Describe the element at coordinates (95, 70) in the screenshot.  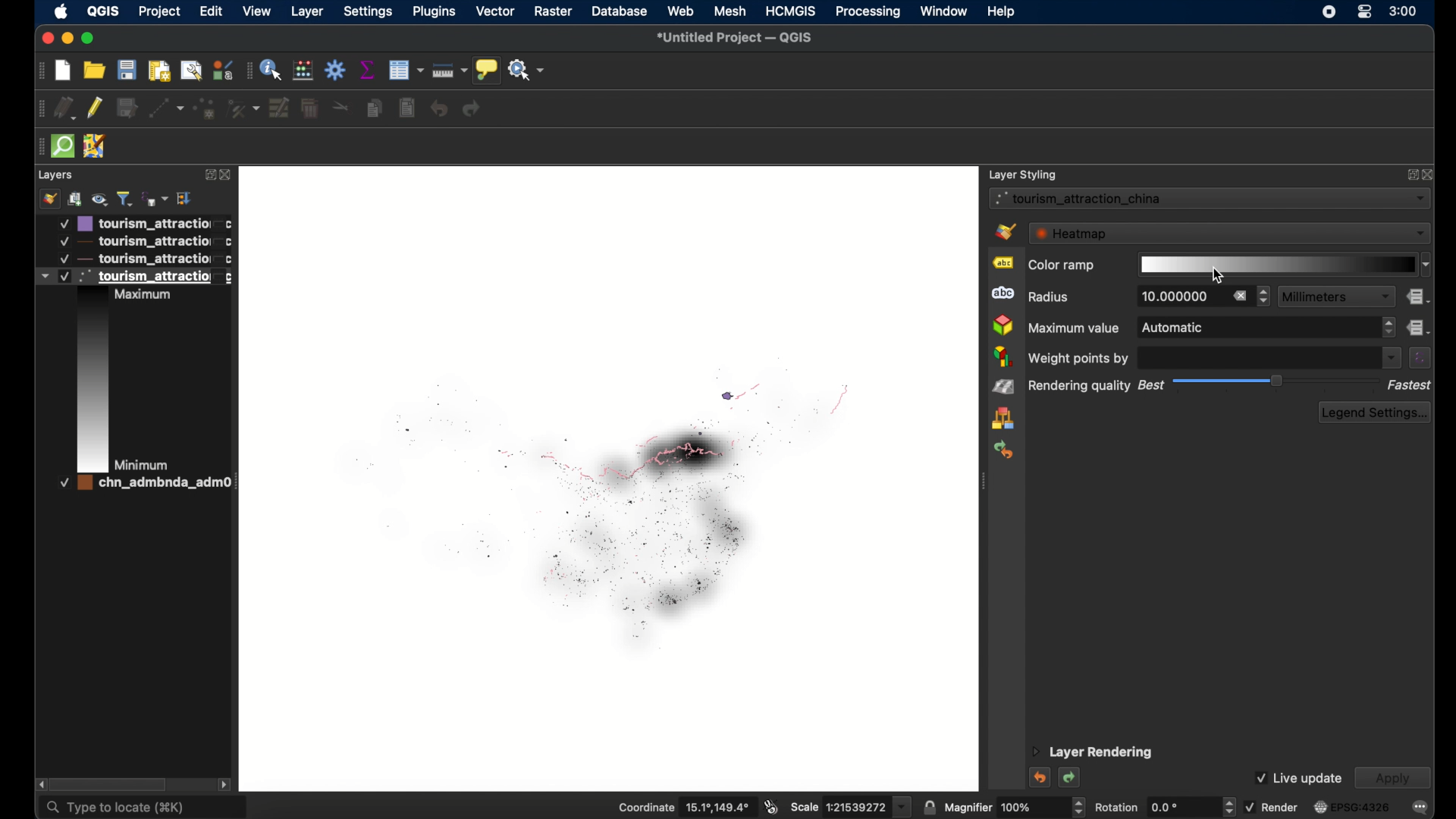
I see `open project` at that location.